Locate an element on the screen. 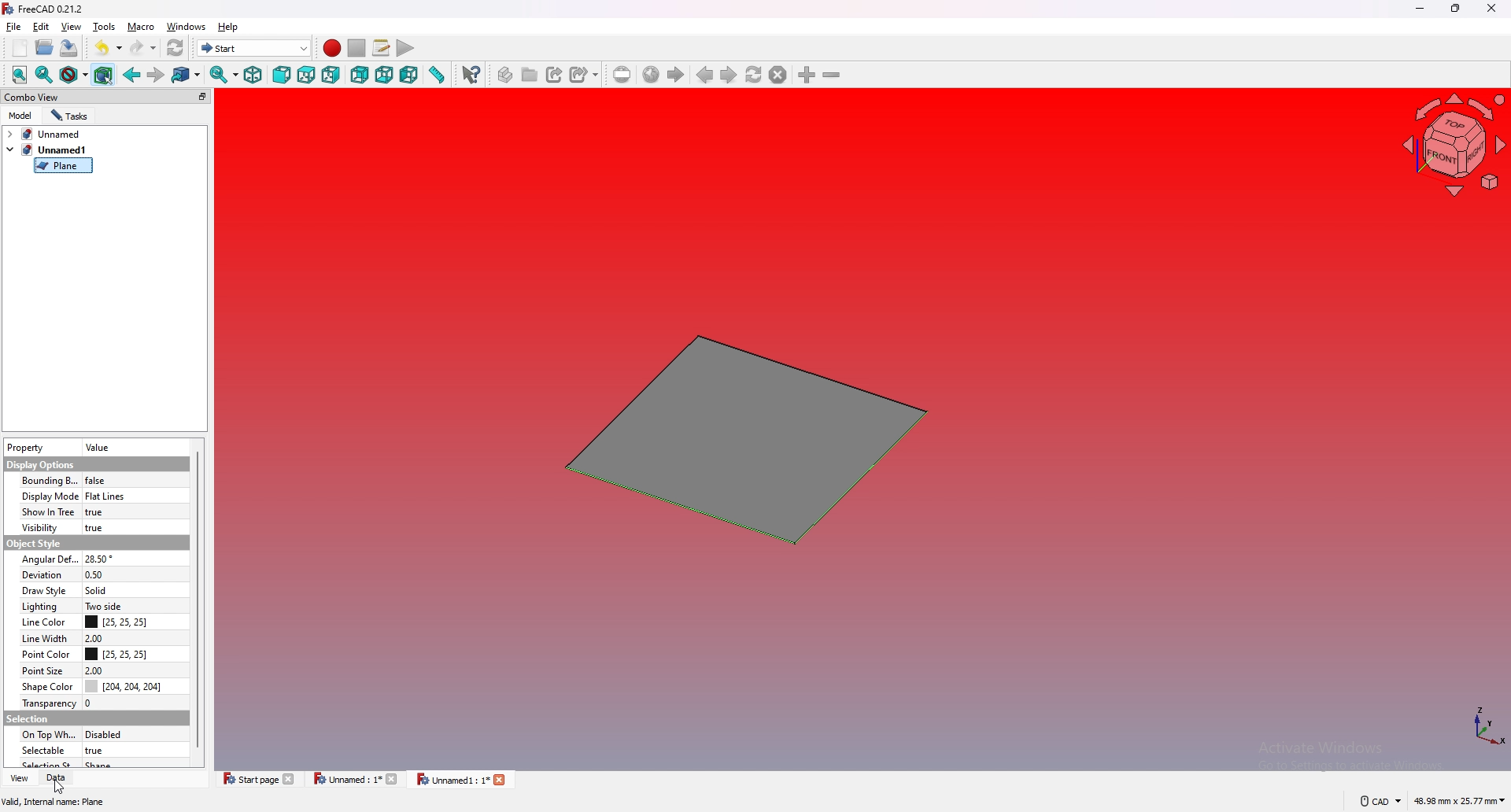  bounding box is located at coordinates (104, 75).